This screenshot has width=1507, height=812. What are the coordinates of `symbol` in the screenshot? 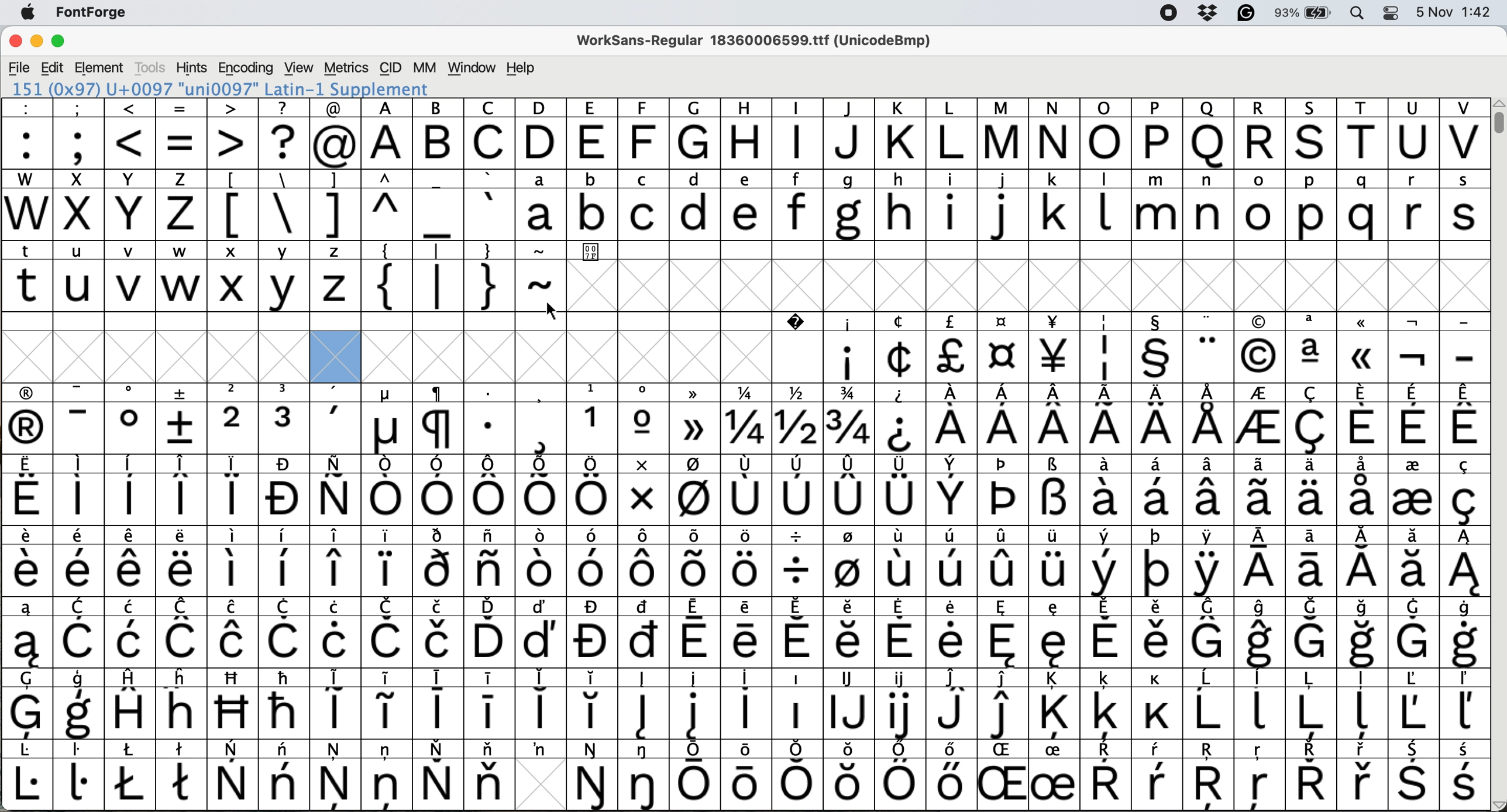 It's located at (540, 562).